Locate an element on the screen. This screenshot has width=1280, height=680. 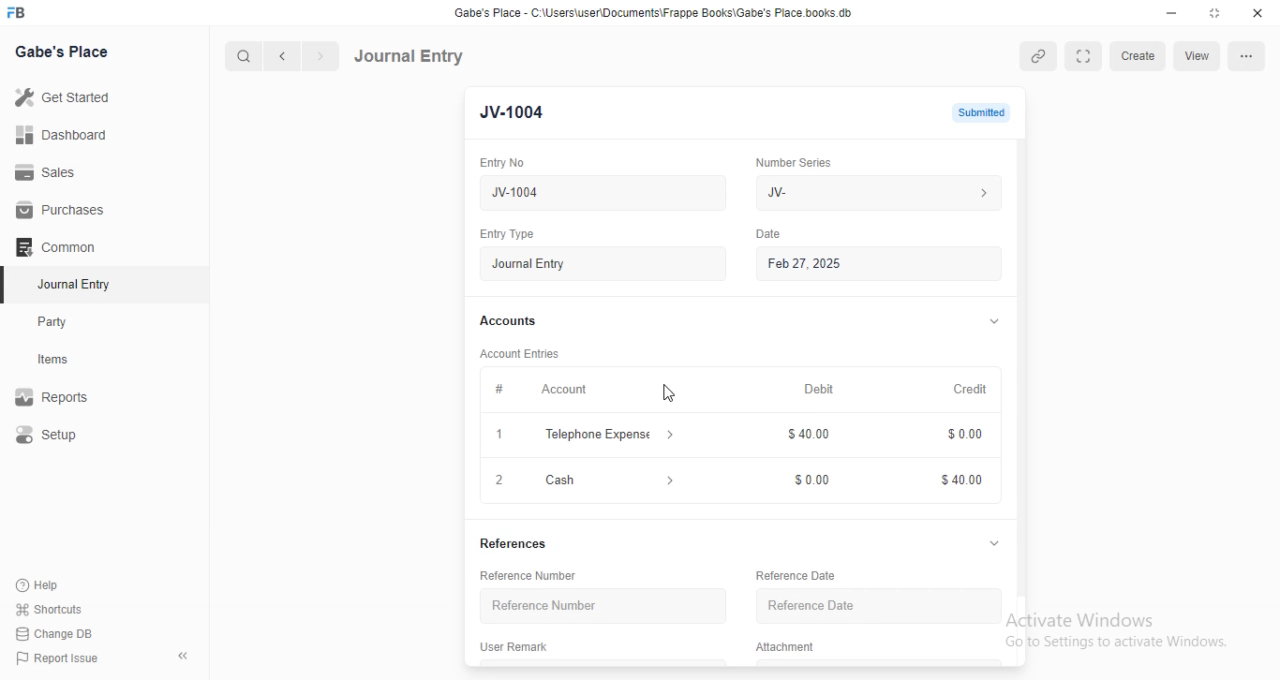
Submitted is located at coordinates (979, 112).